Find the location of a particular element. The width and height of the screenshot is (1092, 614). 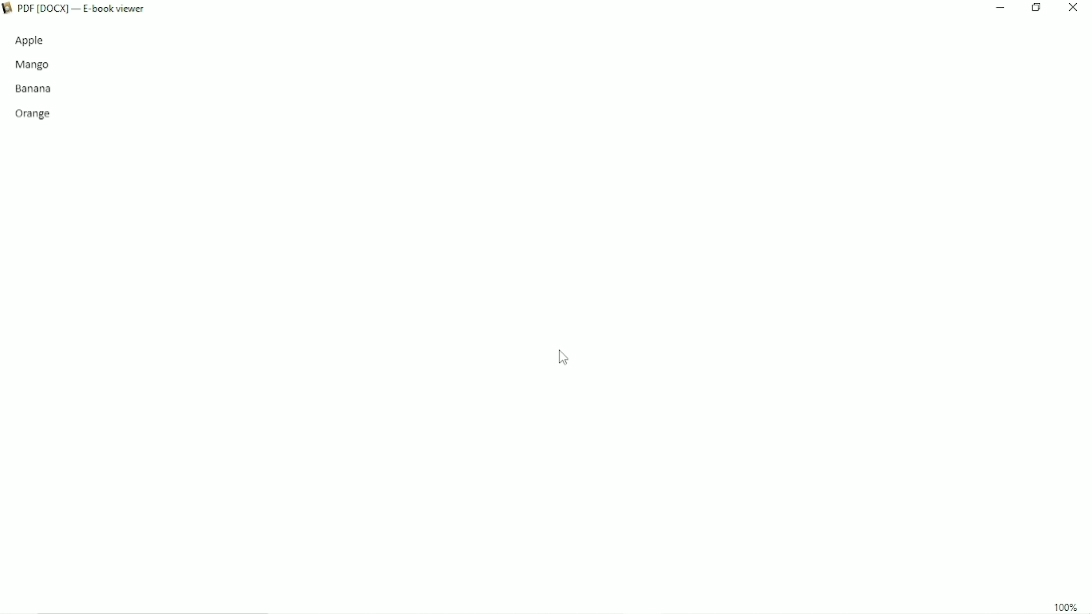

Title is located at coordinates (87, 9).